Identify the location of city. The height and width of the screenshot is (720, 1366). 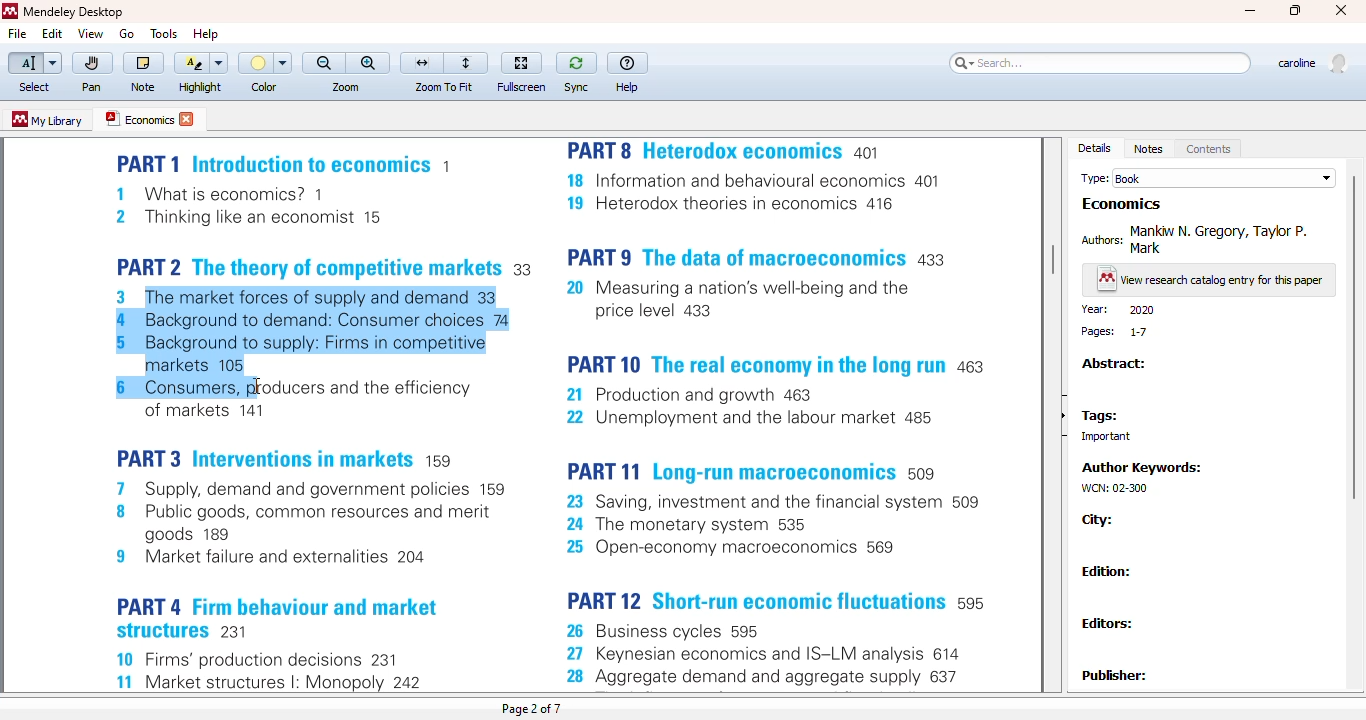
(1098, 520).